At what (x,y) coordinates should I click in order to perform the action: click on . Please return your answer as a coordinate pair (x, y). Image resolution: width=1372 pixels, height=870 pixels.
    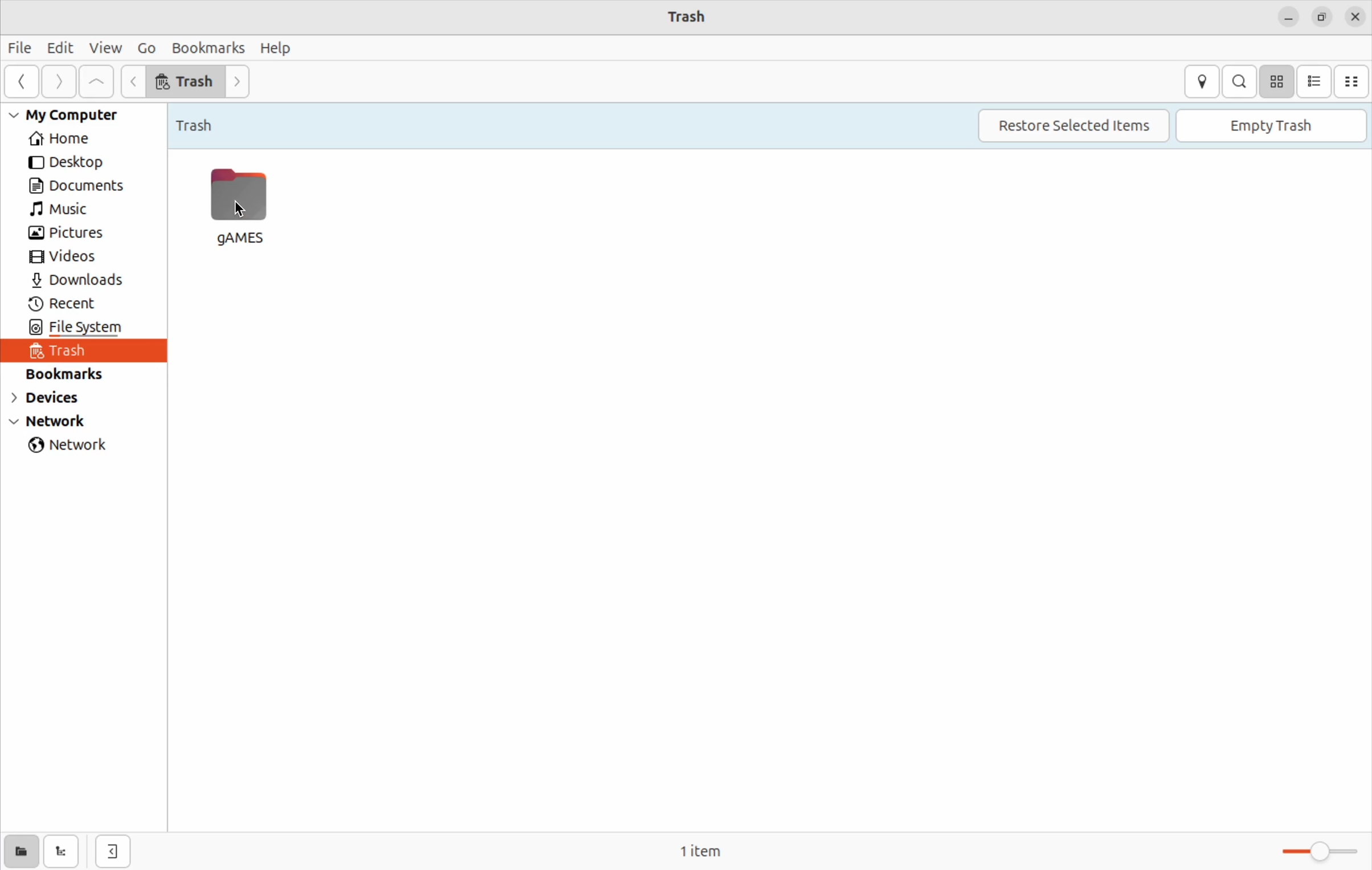
    Looking at the image, I should click on (134, 81).